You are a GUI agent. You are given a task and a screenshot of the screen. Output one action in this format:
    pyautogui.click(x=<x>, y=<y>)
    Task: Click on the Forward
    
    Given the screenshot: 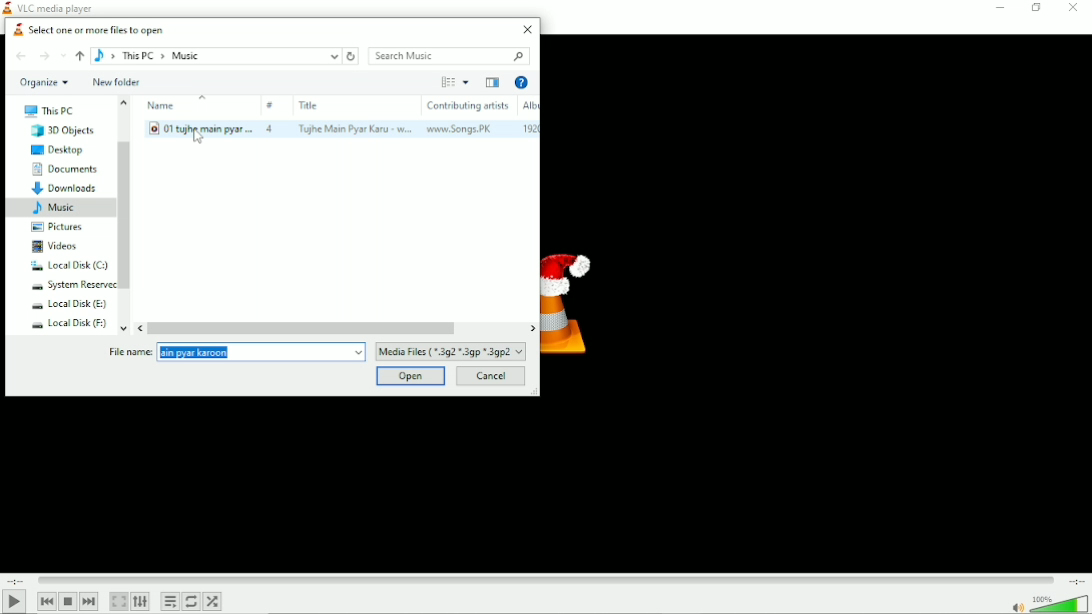 What is the action you would take?
    pyautogui.click(x=43, y=56)
    